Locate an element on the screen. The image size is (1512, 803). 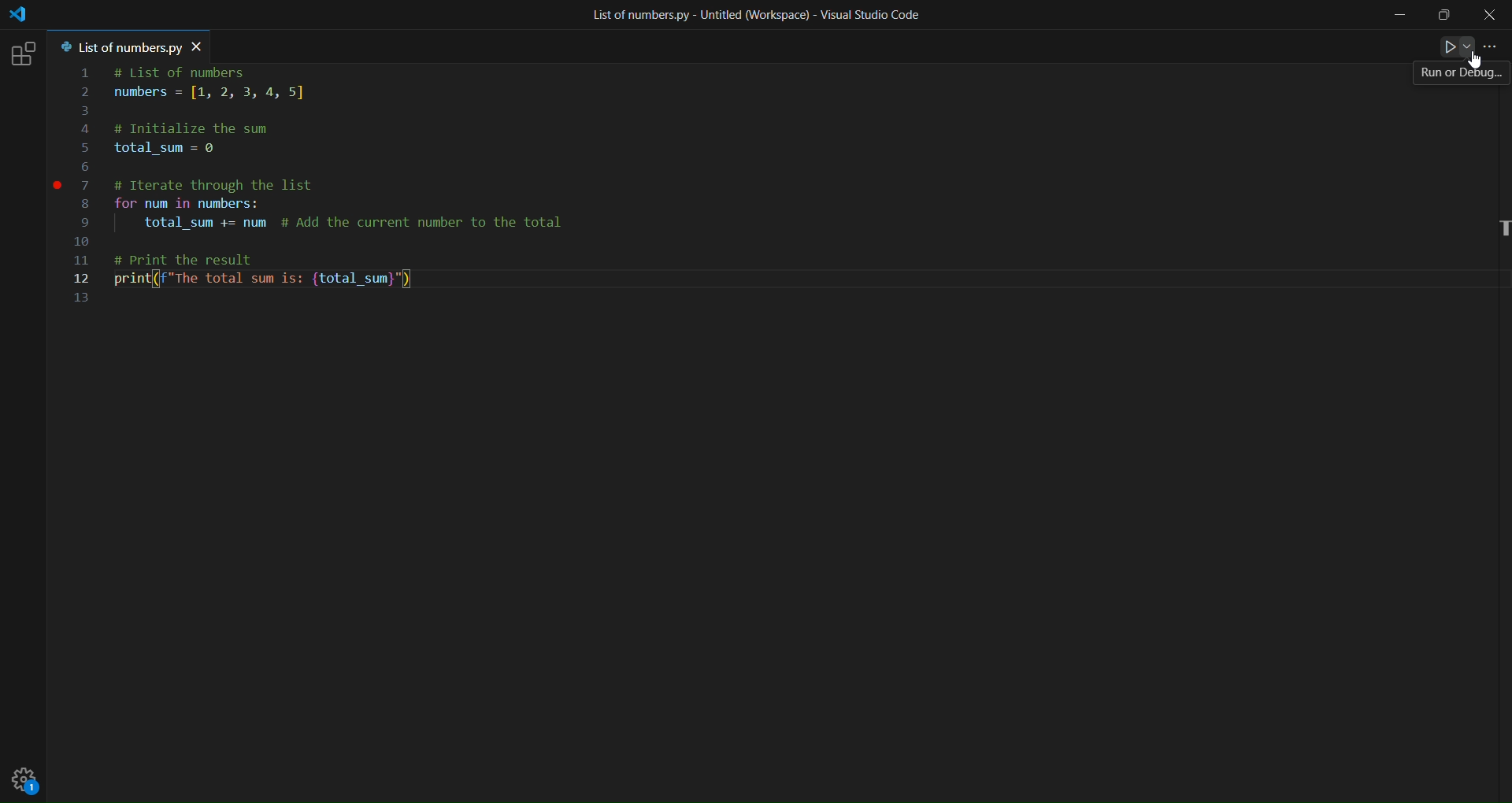
line number is located at coordinates (89, 187).